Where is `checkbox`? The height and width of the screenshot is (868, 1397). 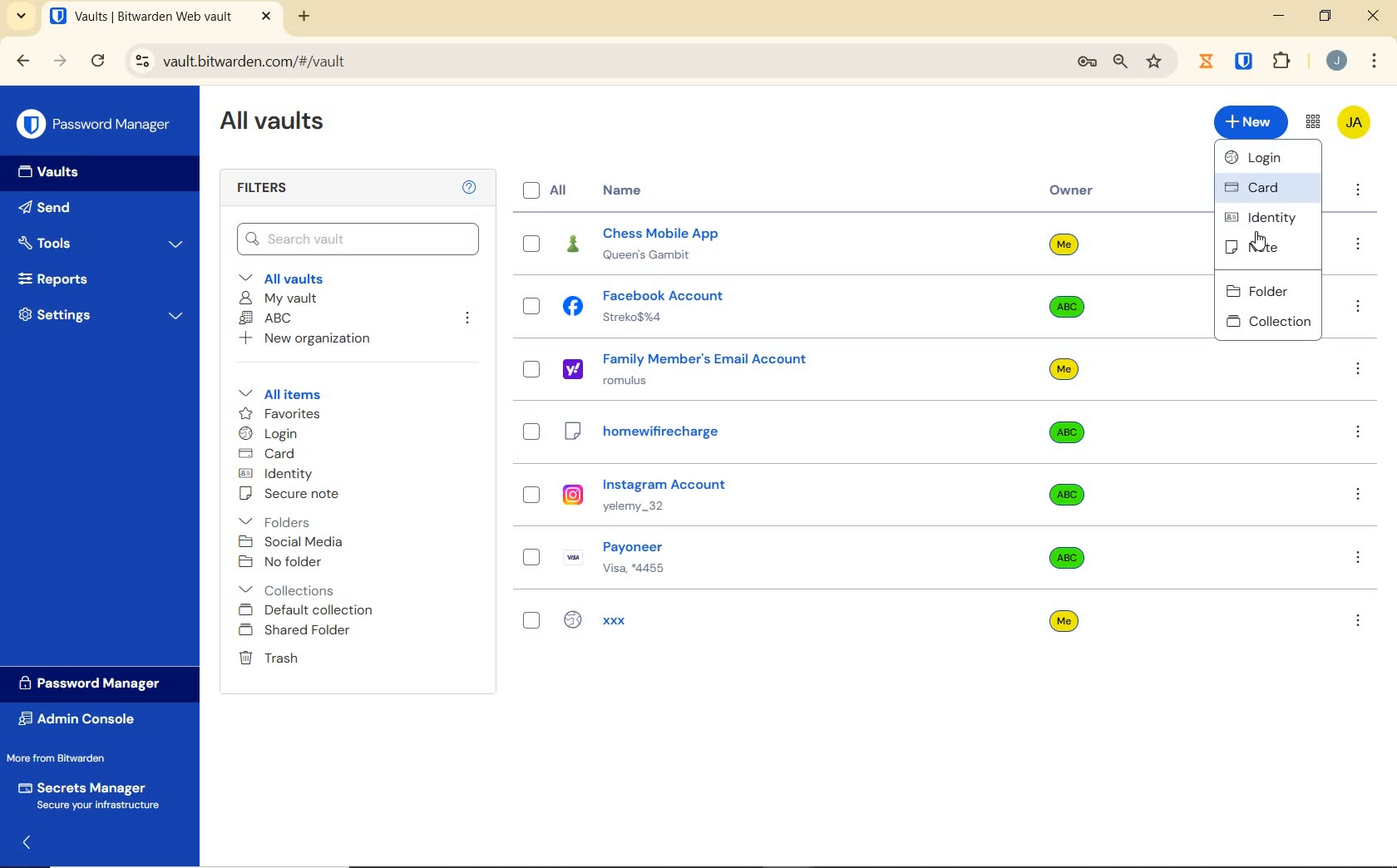
checkbox is located at coordinates (533, 496).